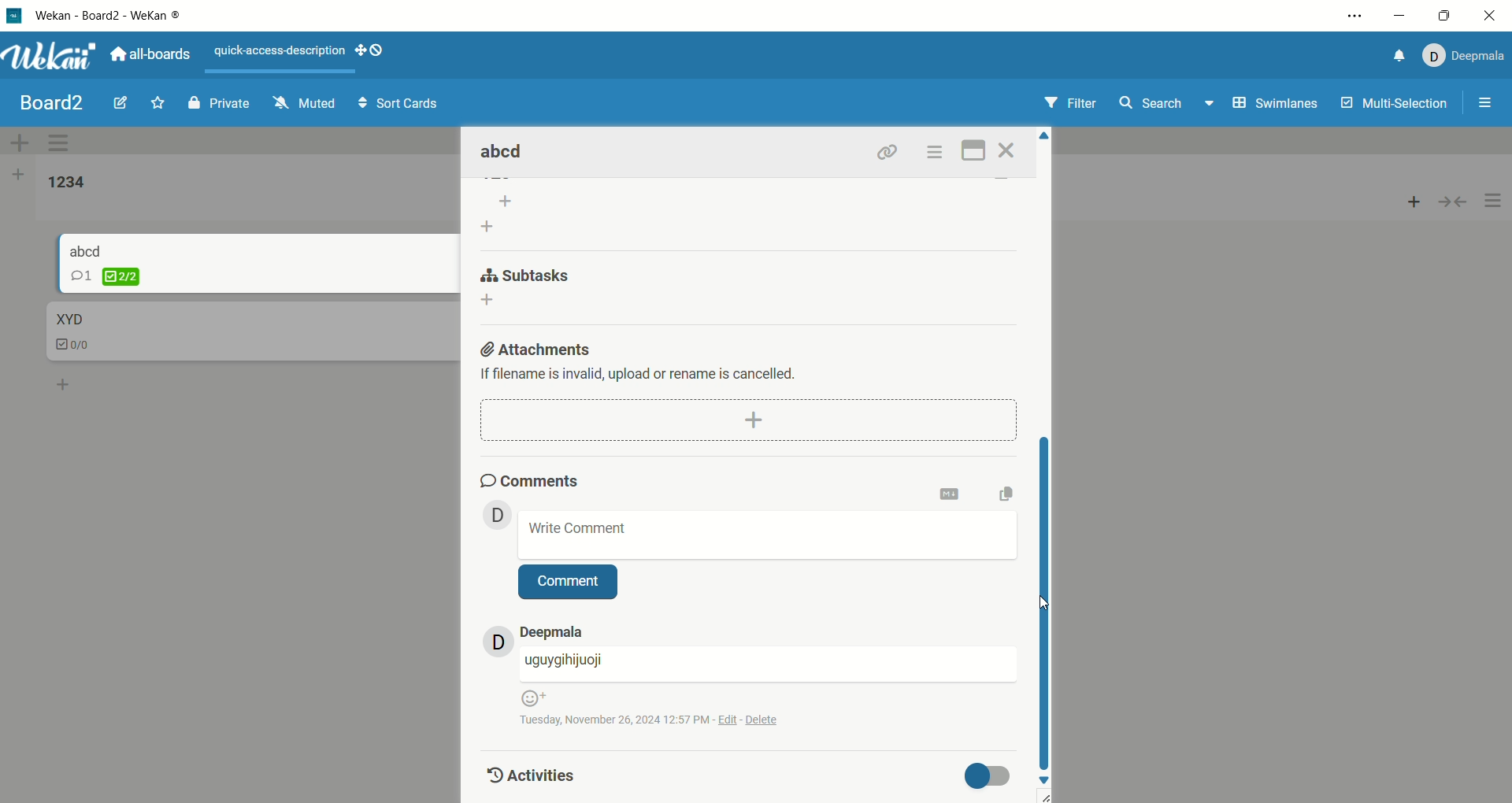 The width and height of the screenshot is (1512, 803). I want to click on down, so click(1046, 781).